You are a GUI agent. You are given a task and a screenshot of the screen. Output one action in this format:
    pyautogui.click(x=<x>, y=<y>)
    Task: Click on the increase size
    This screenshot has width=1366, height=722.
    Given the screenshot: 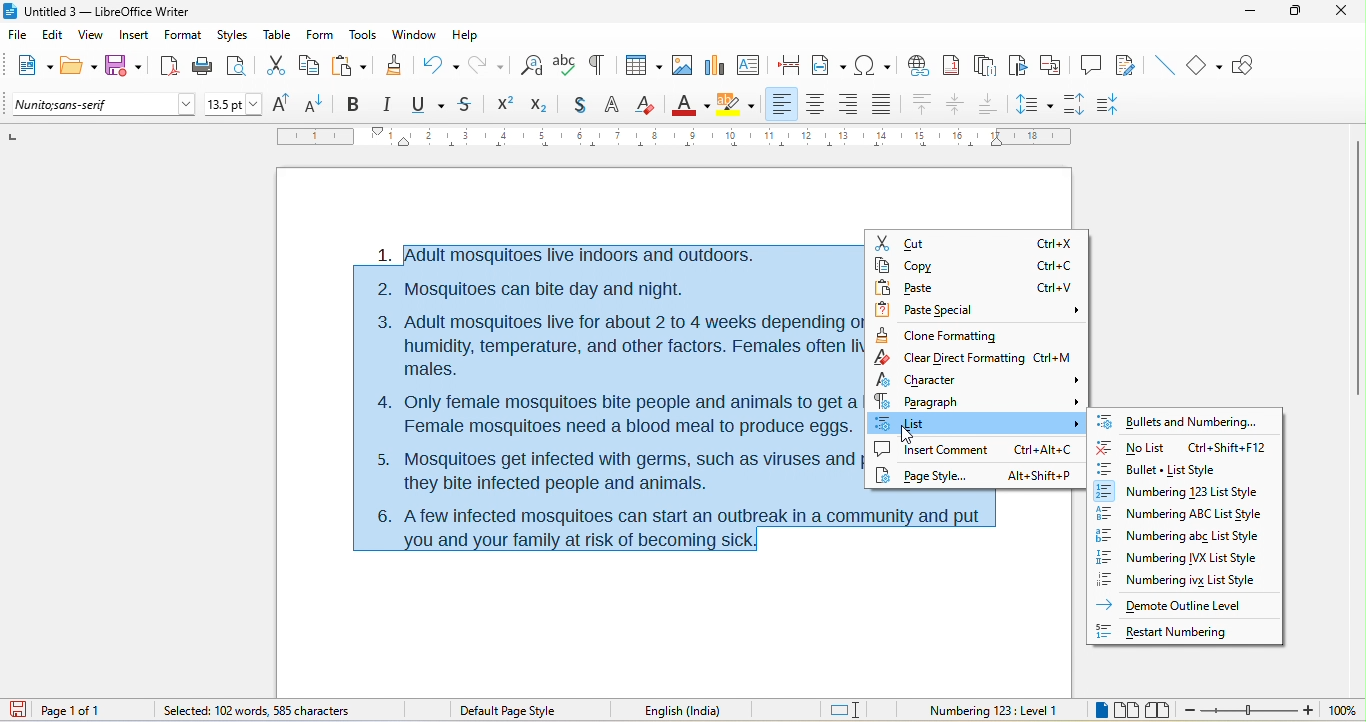 What is the action you would take?
    pyautogui.click(x=285, y=104)
    